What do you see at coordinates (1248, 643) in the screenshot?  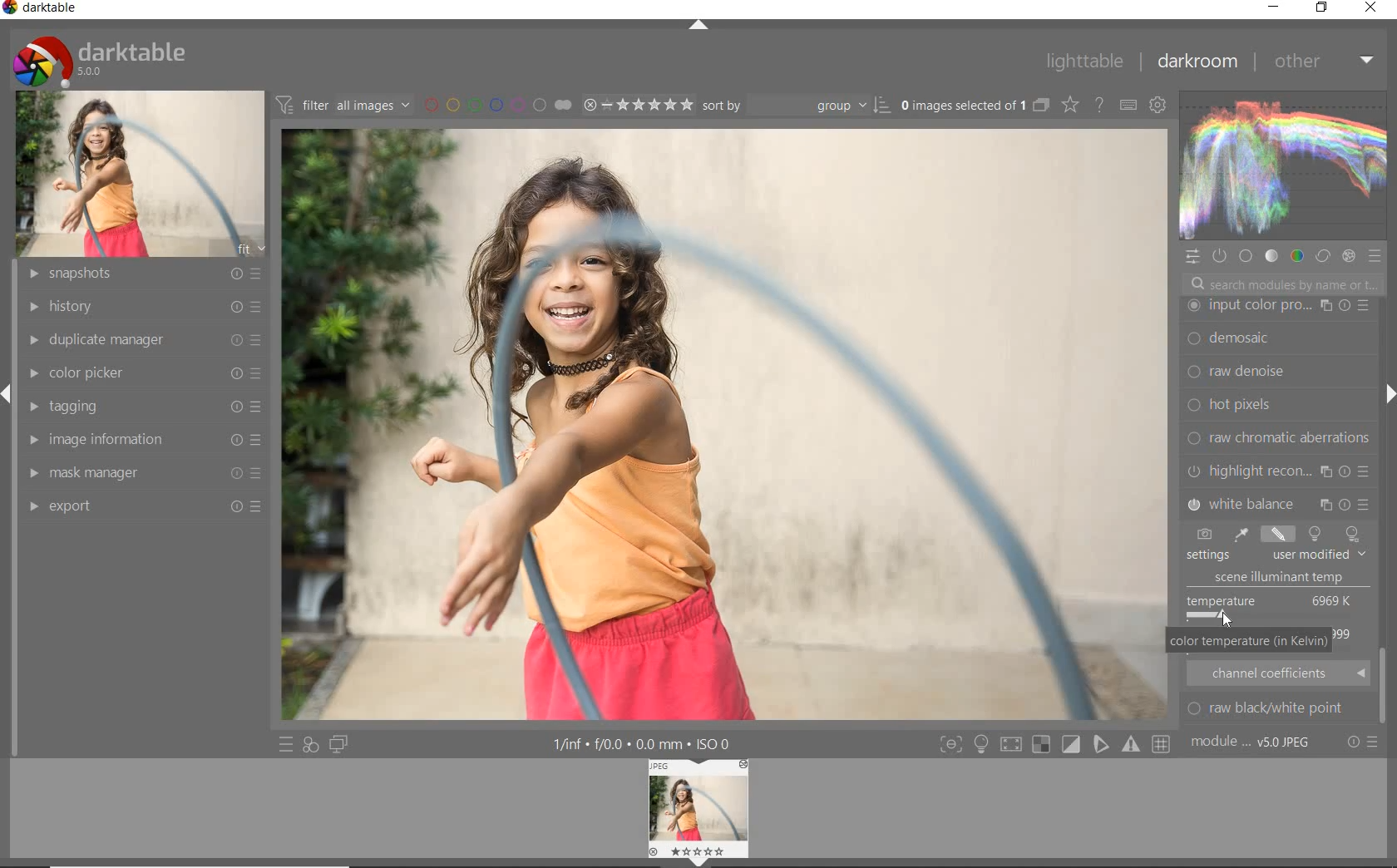 I see `COLOR TEMPERATURE (IN kELVIN)` at bounding box center [1248, 643].